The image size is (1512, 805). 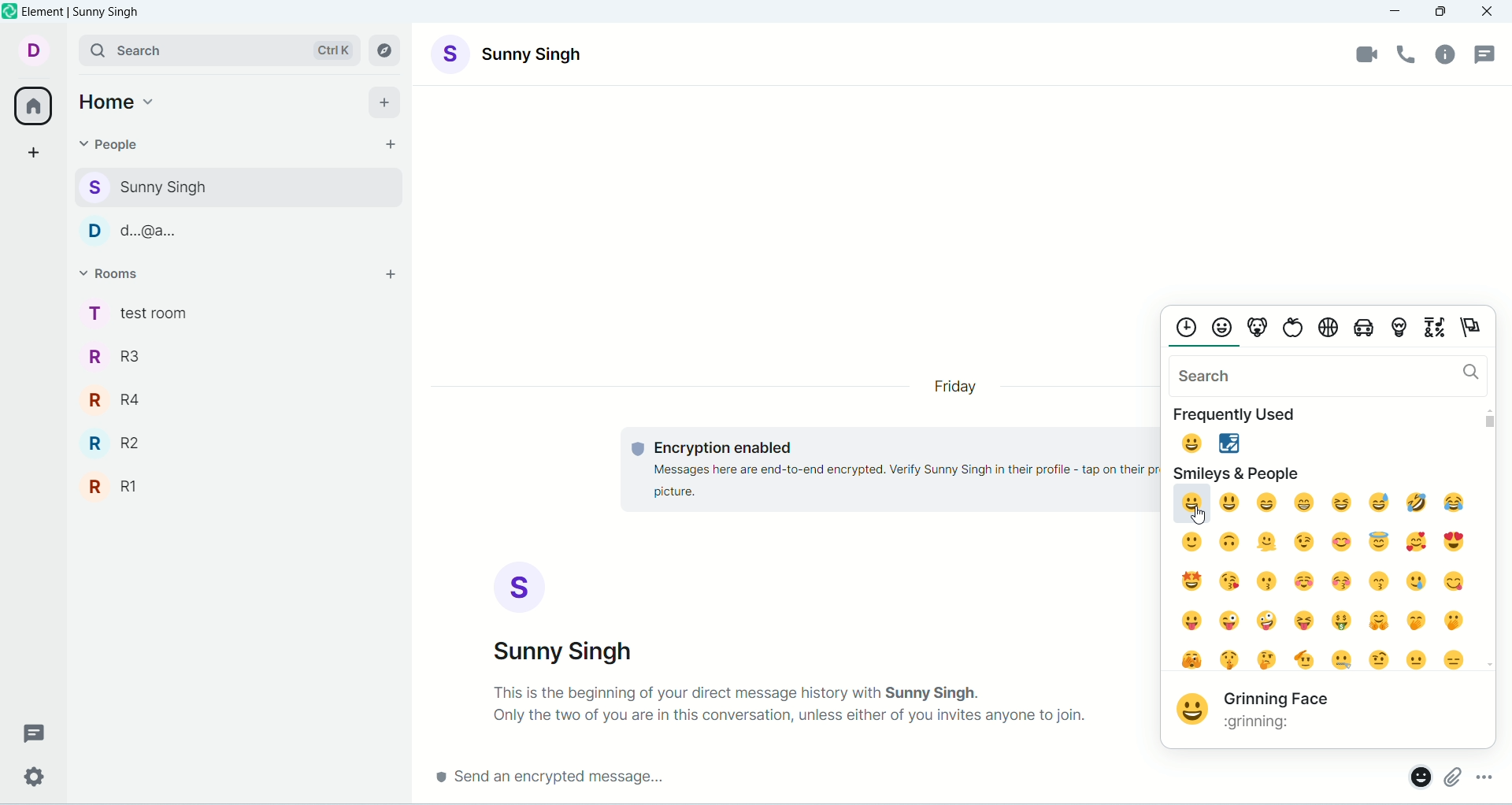 I want to click on rooms, so click(x=116, y=273).